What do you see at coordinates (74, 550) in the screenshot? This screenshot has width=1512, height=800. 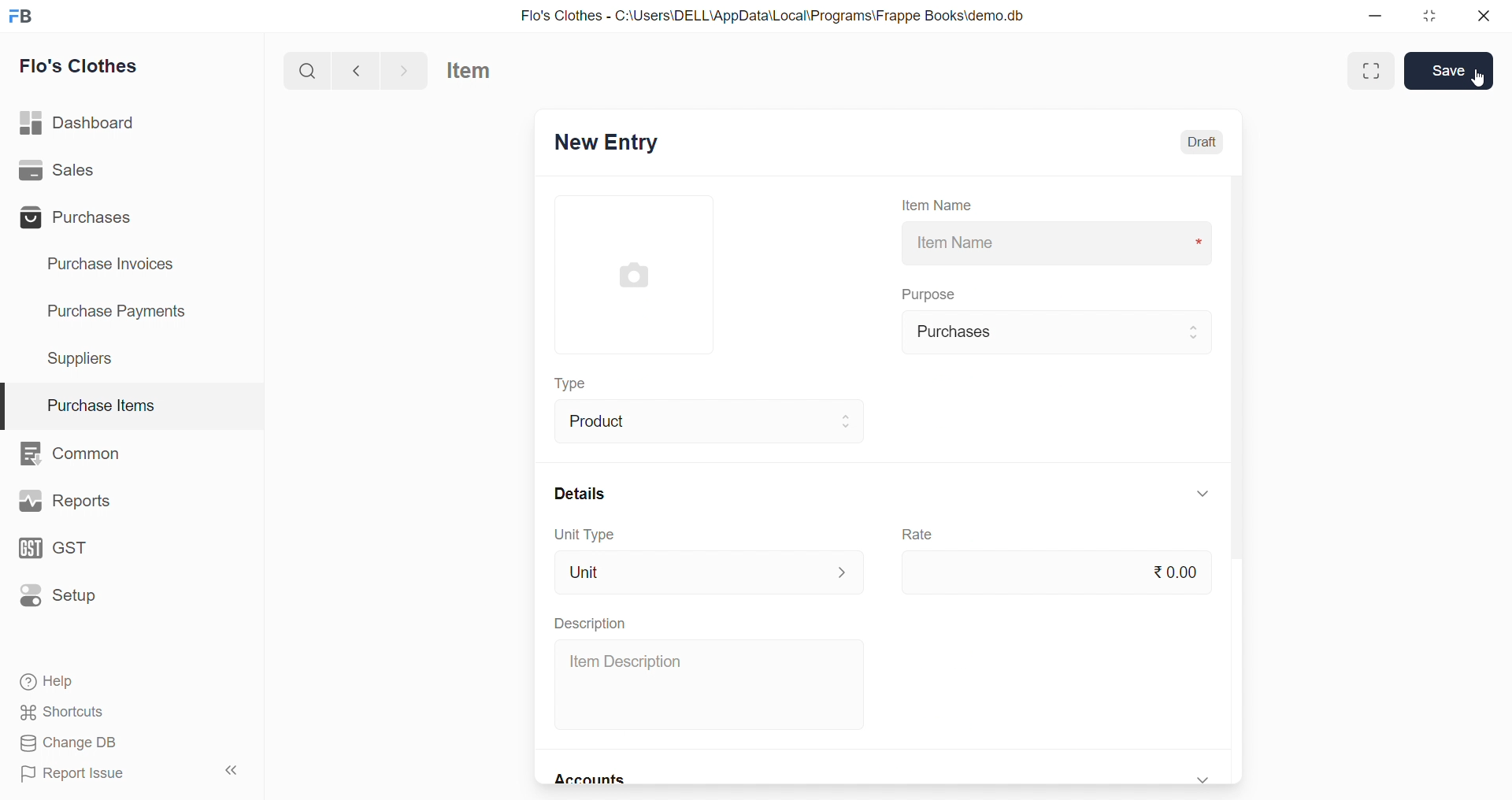 I see `GST` at bounding box center [74, 550].